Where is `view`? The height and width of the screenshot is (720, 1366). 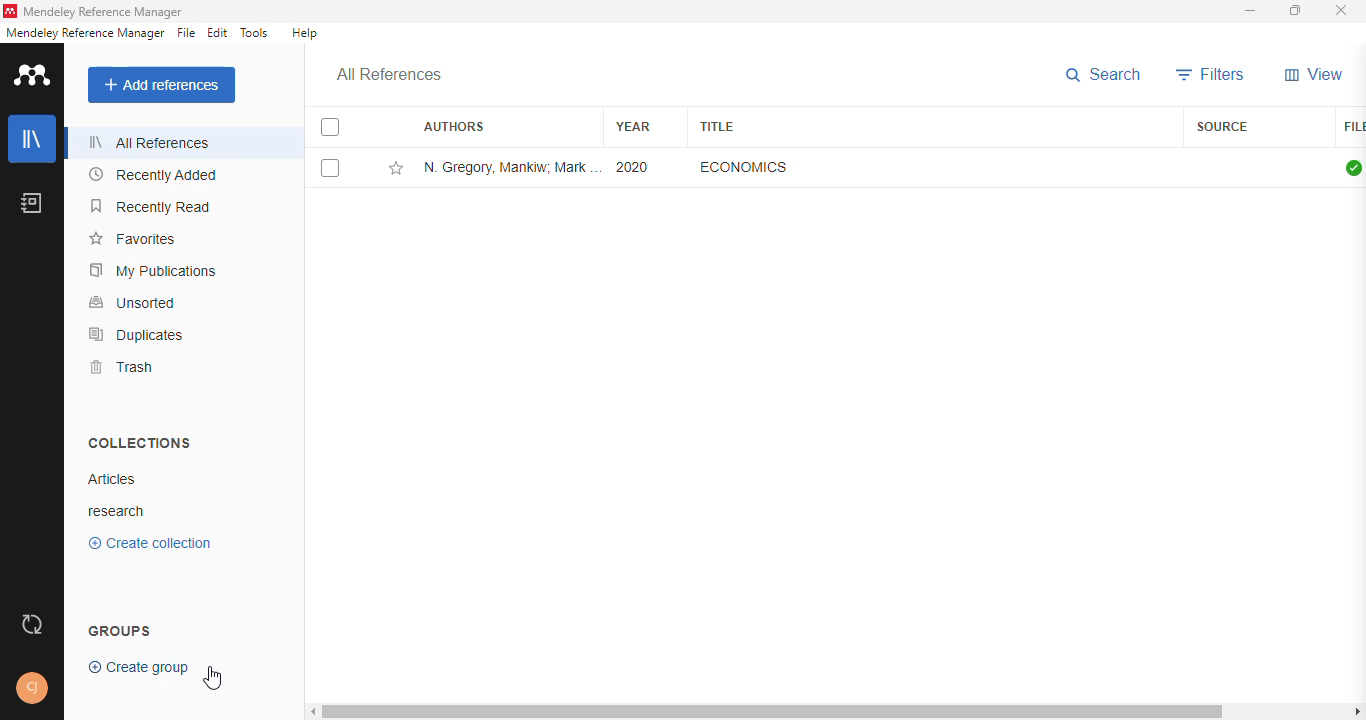
view is located at coordinates (1314, 75).